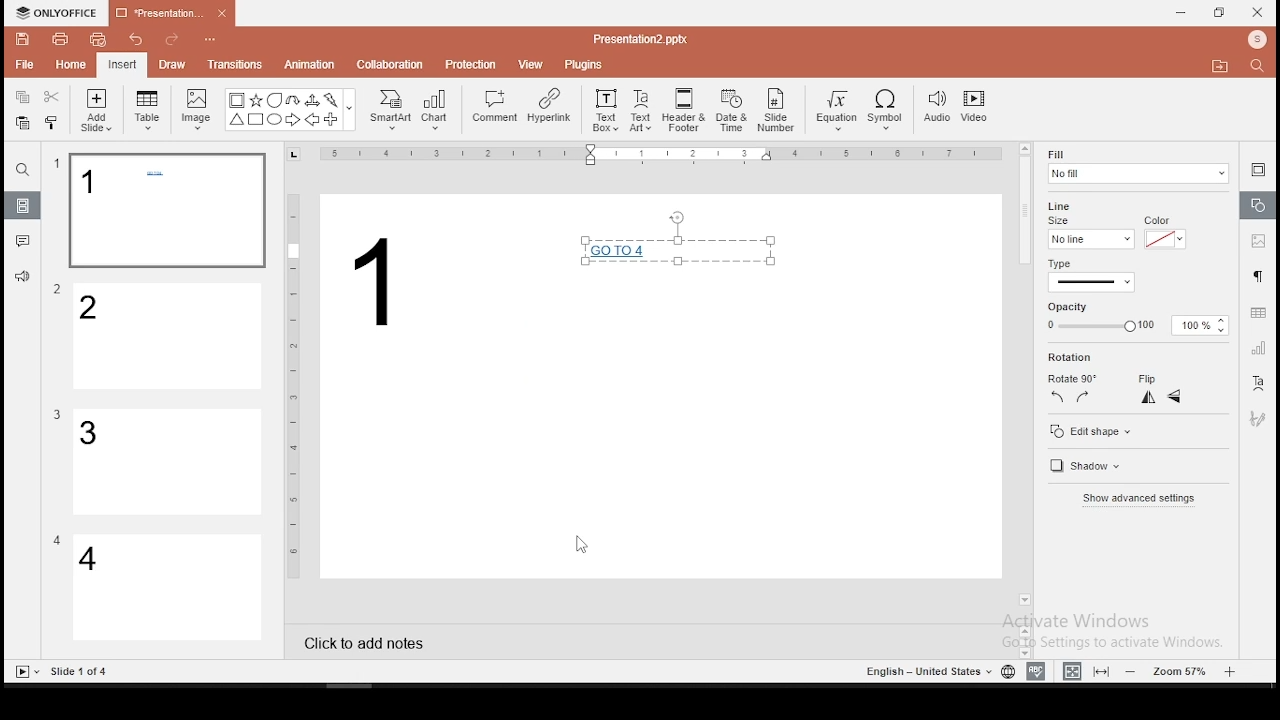 The height and width of the screenshot is (720, 1280). I want to click on comment, so click(495, 107).